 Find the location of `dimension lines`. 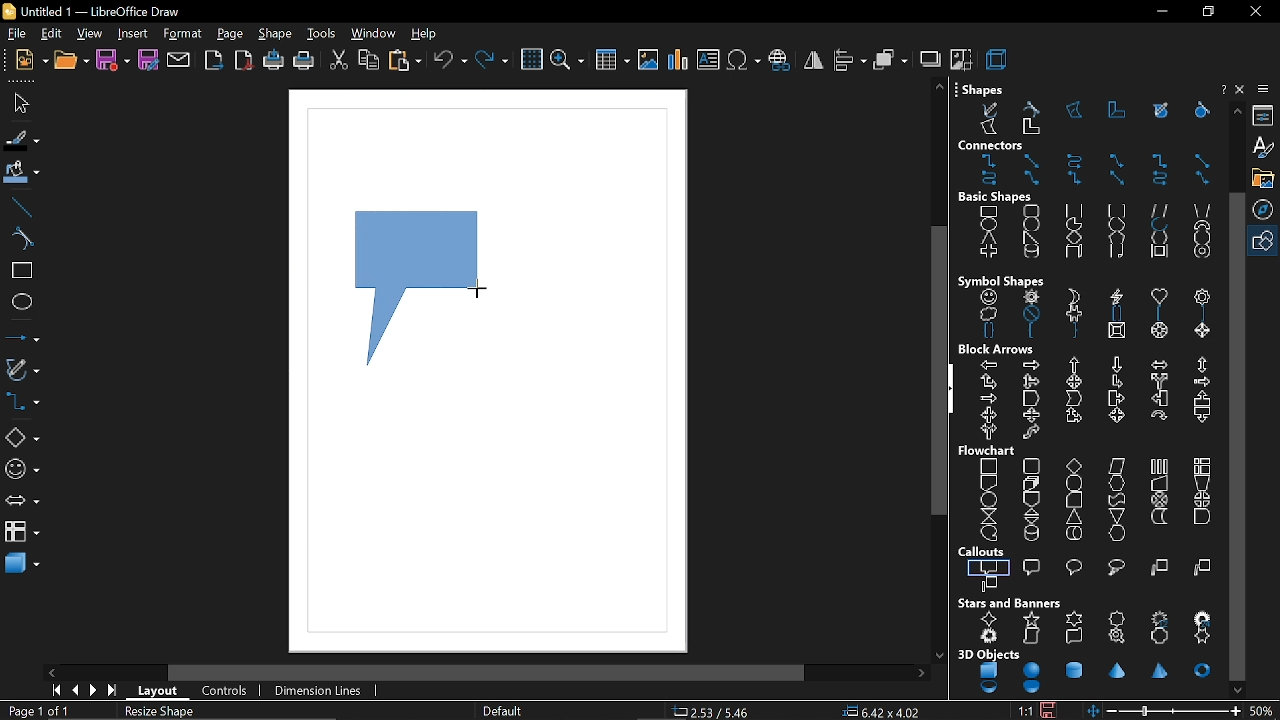

dimension lines is located at coordinates (319, 693).